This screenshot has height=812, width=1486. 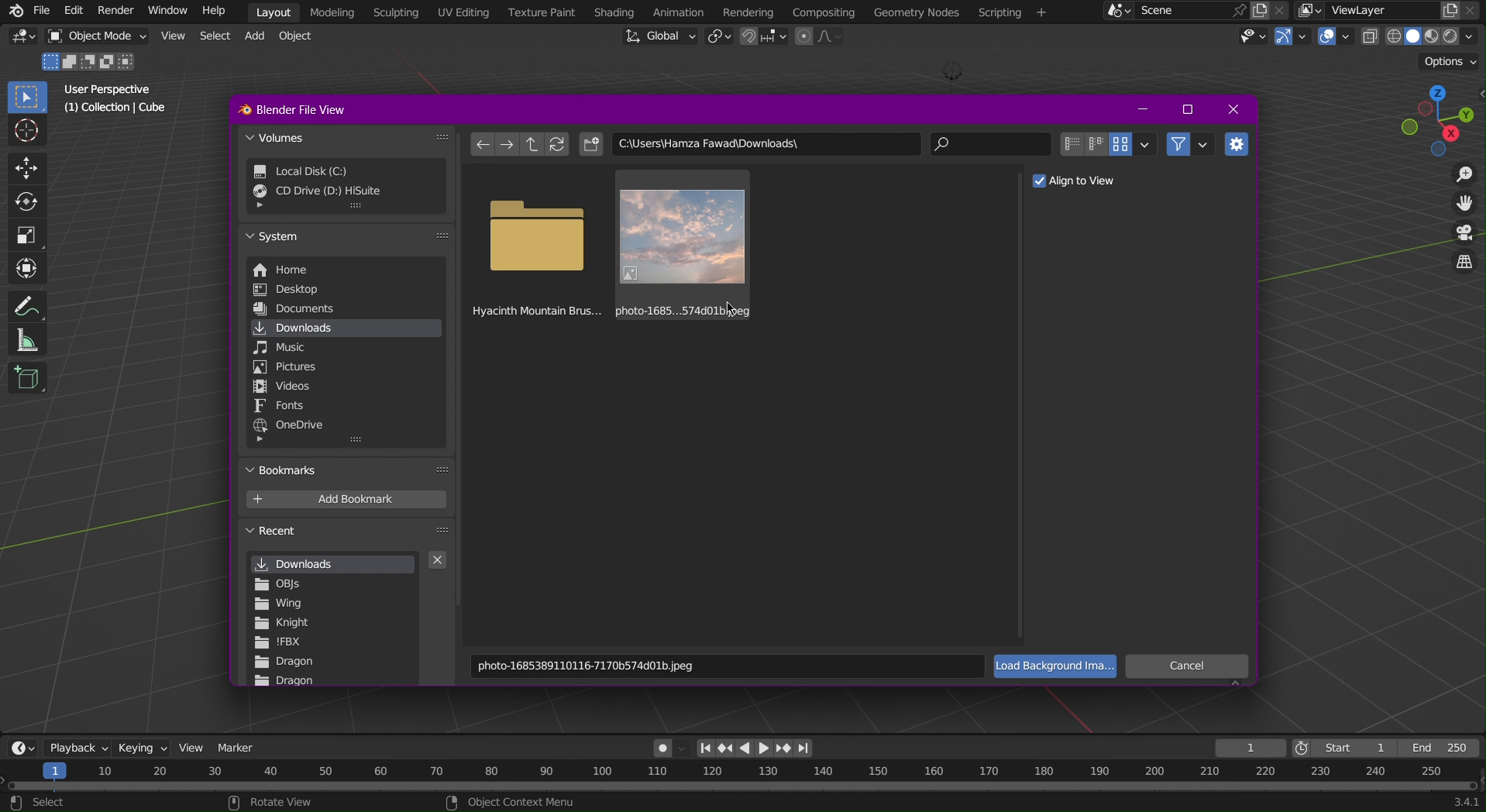 What do you see at coordinates (280, 583) in the screenshot?
I see `OBJs` at bounding box center [280, 583].